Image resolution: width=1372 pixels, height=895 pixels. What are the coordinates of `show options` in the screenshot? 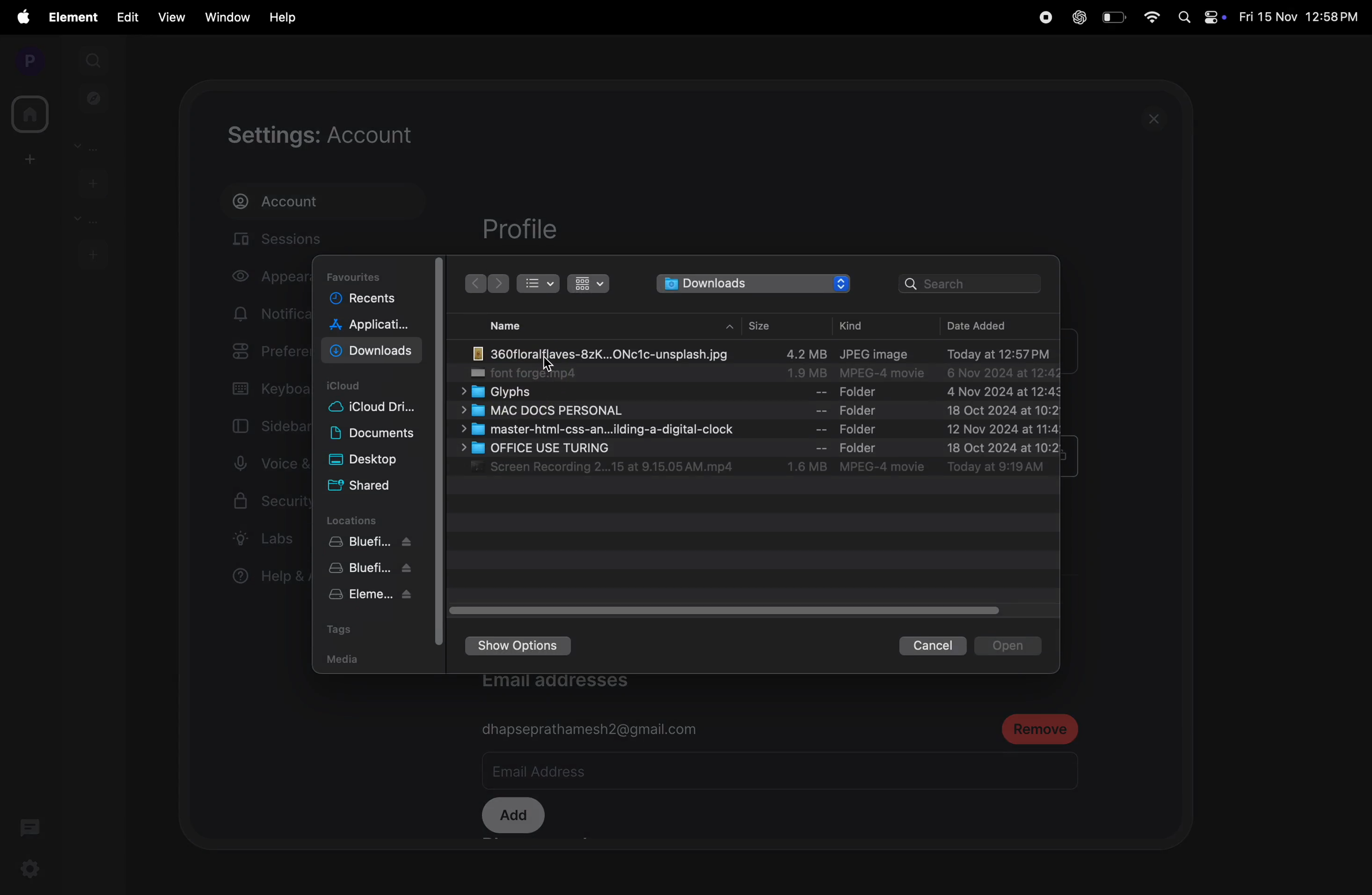 It's located at (529, 646).